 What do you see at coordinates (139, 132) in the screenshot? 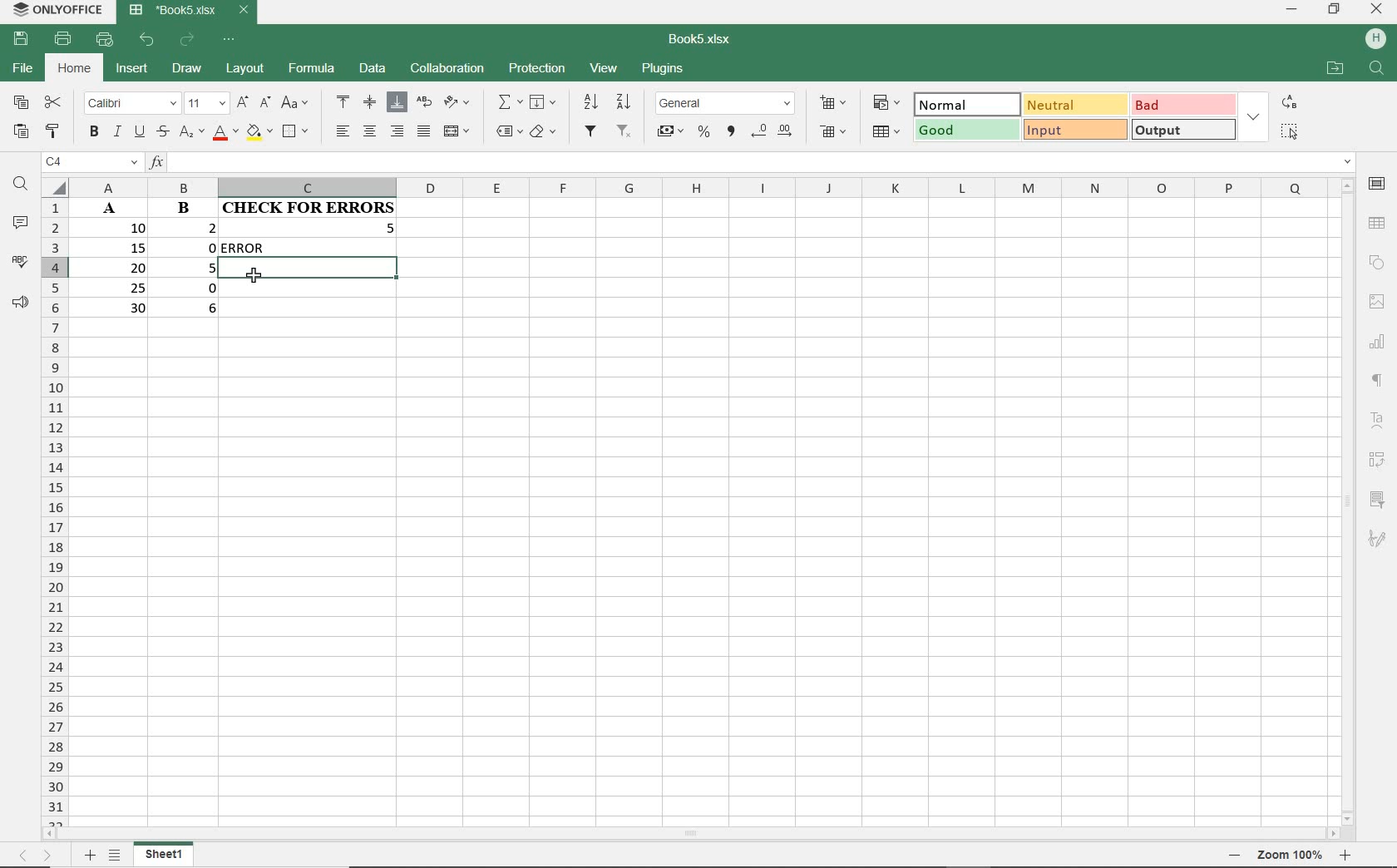
I see `UNDERLINE` at bounding box center [139, 132].